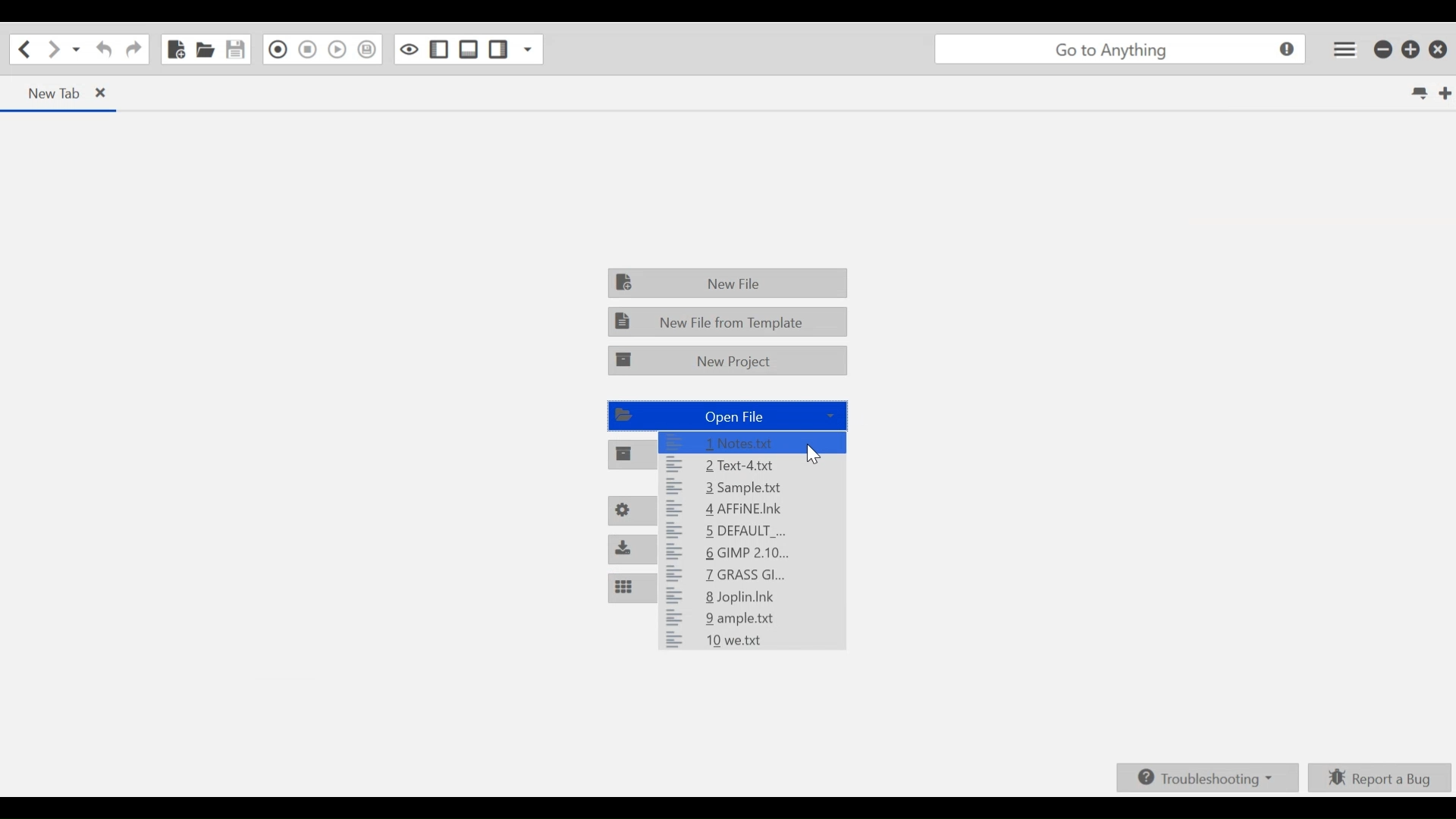 The width and height of the screenshot is (1456, 819). I want to click on Preferences, so click(630, 510).